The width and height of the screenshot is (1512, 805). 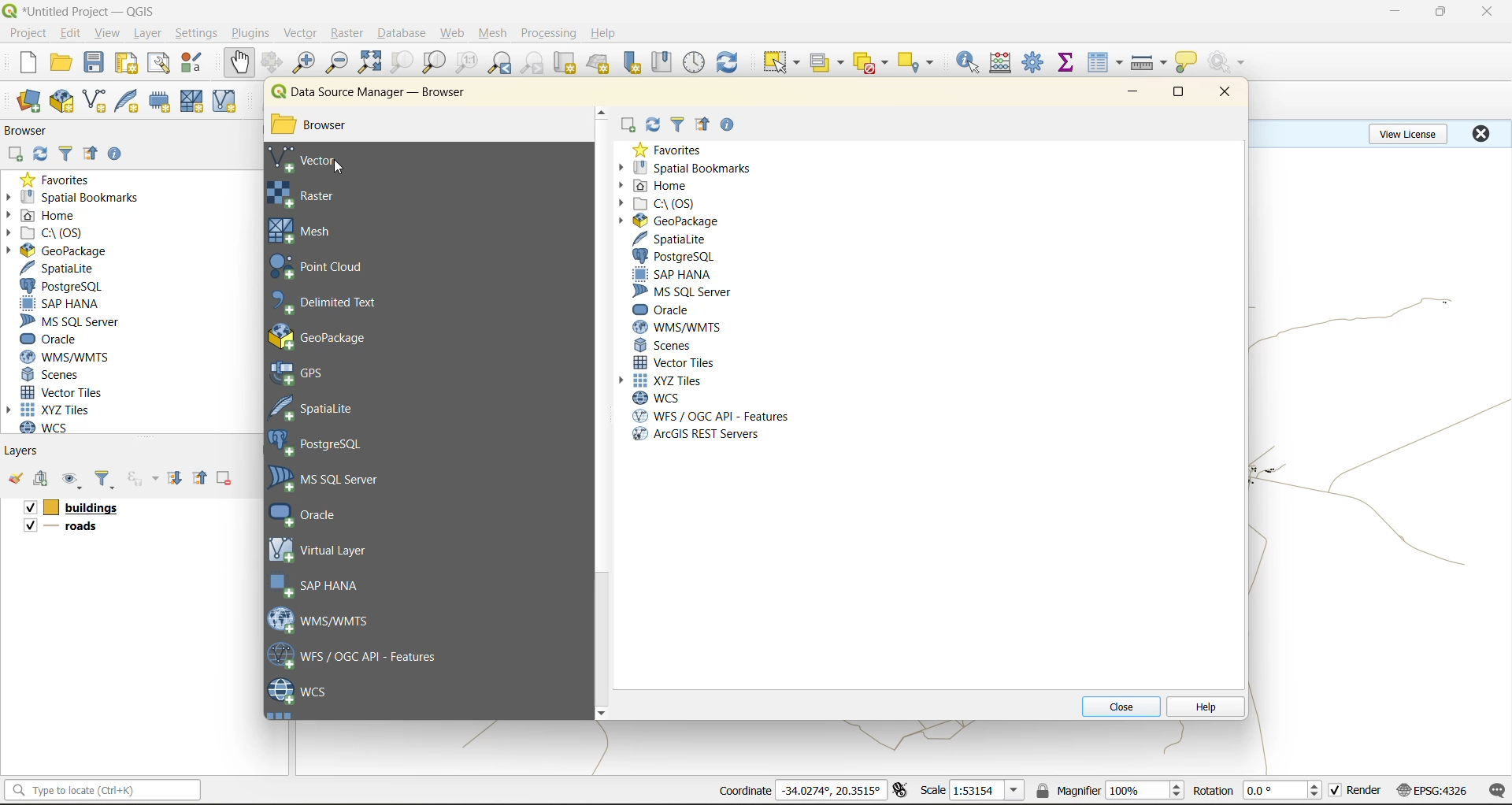 What do you see at coordinates (23, 450) in the screenshot?
I see `layers` at bounding box center [23, 450].